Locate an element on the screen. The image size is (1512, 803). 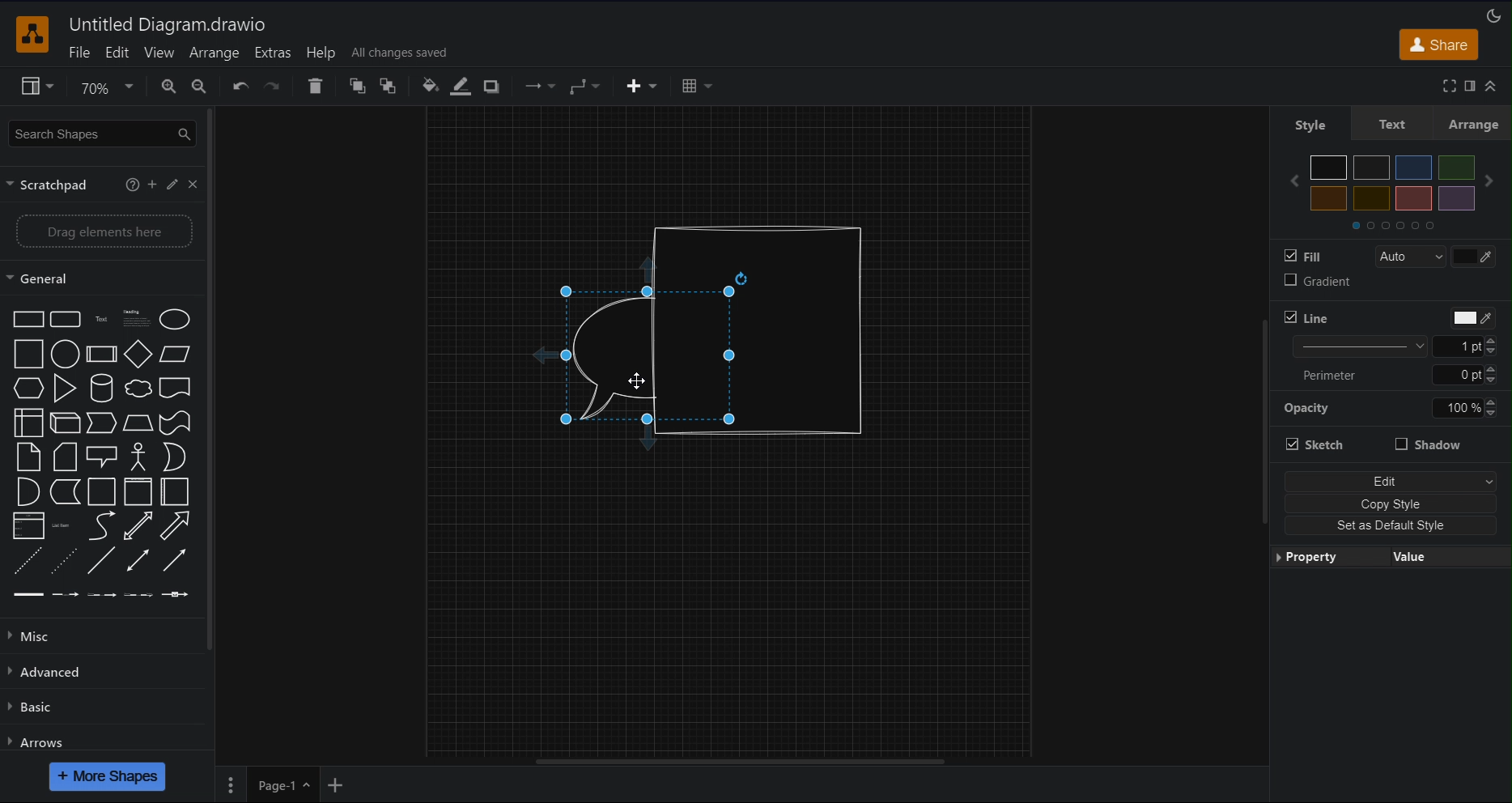
Cylindrical shape is located at coordinates (758, 330).